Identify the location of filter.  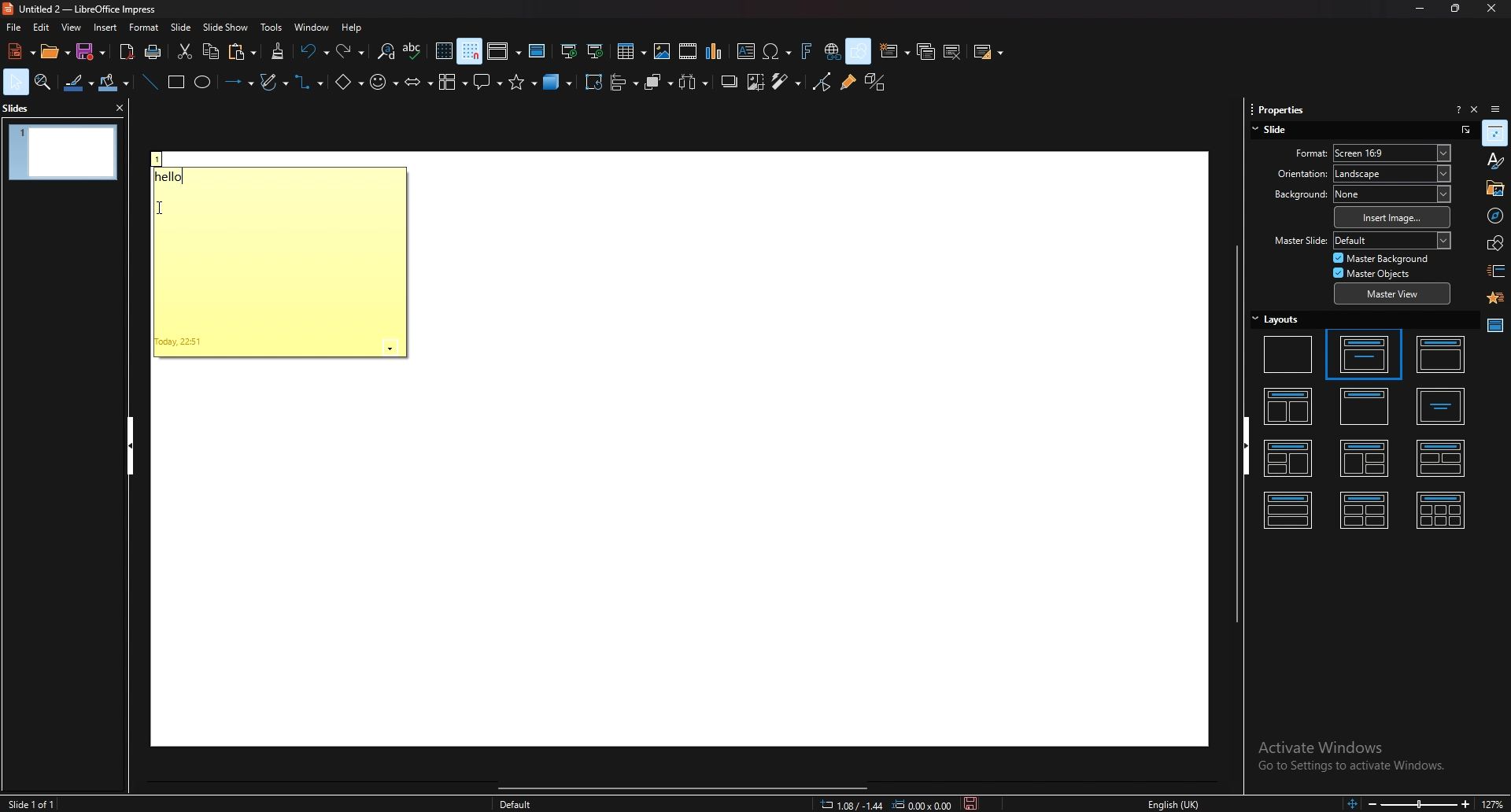
(786, 82).